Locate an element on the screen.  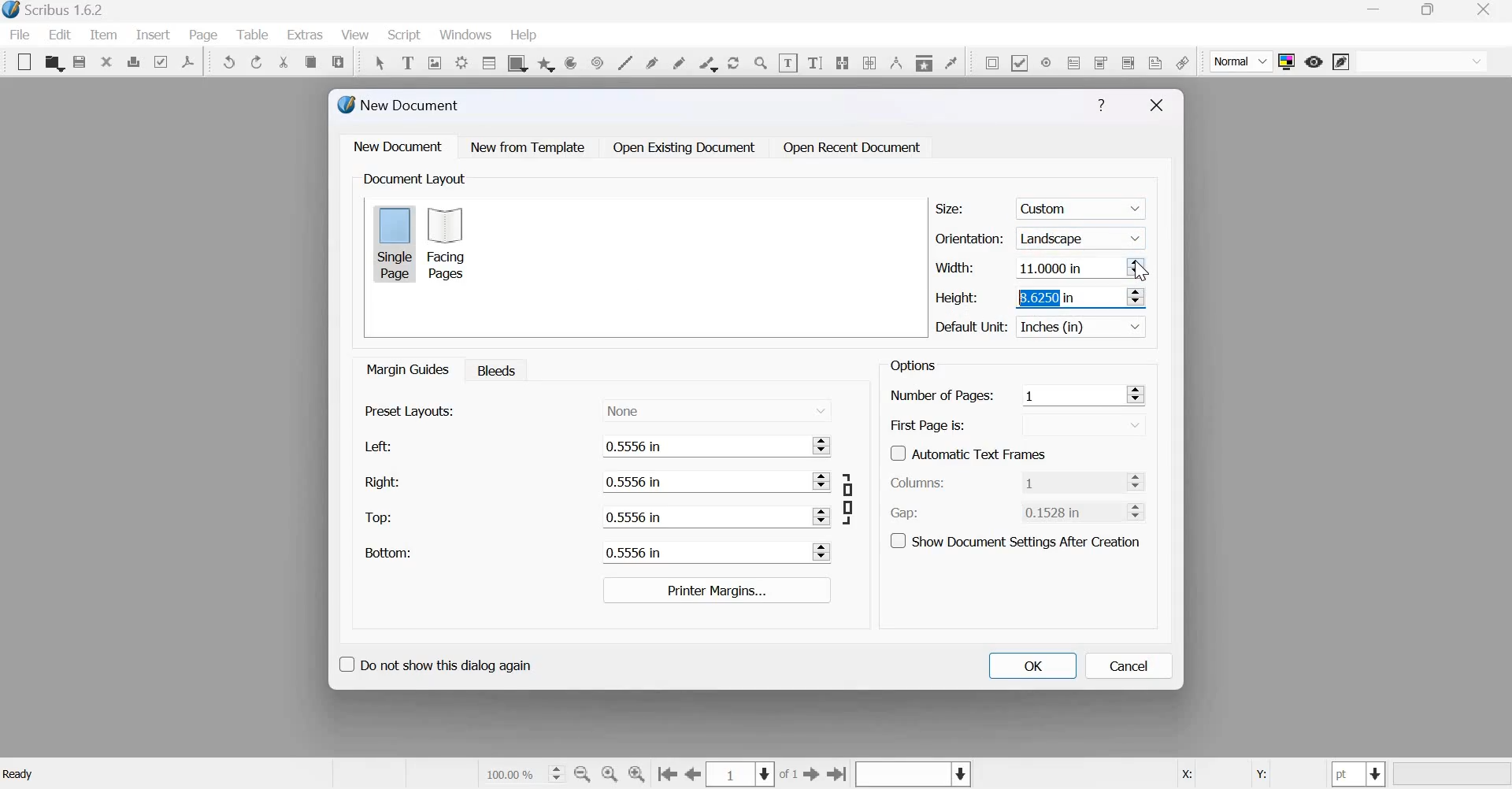
calligraphic line is located at coordinates (706, 62).